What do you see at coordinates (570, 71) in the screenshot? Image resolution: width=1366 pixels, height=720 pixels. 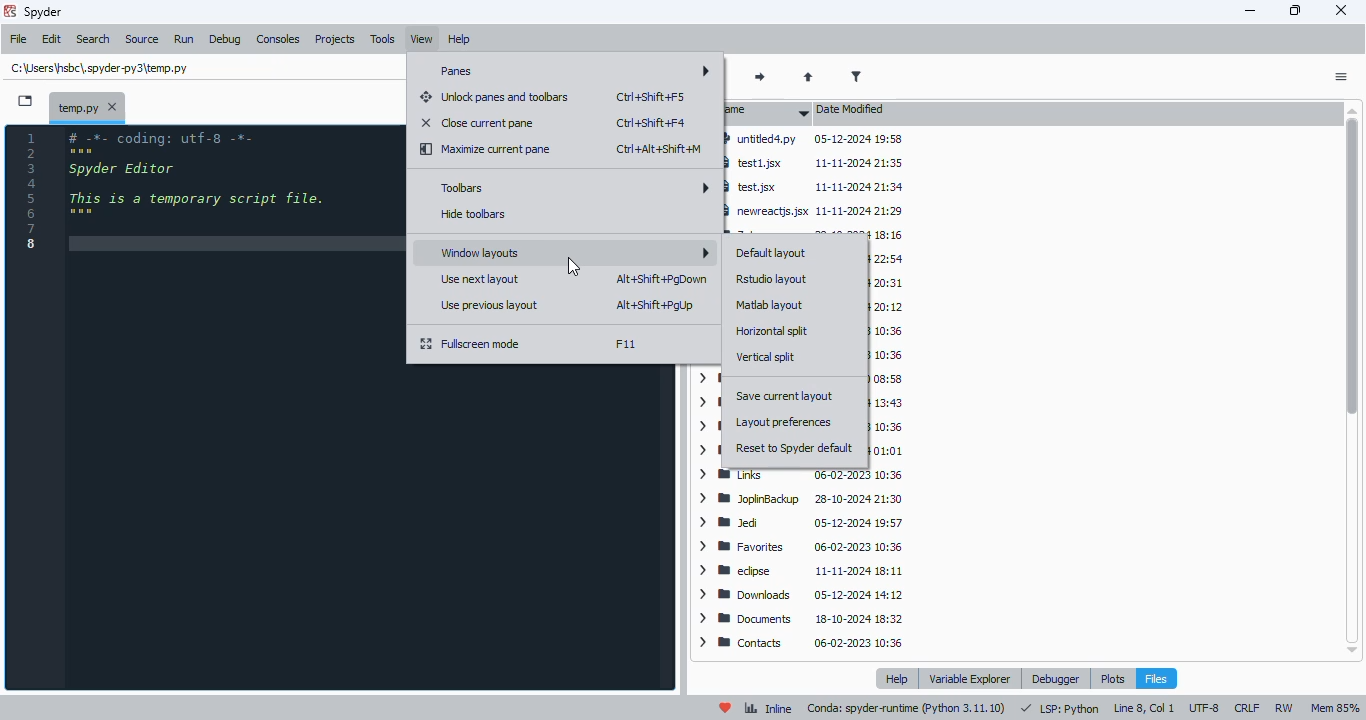 I see `panes` at bounding box center [570, 71].